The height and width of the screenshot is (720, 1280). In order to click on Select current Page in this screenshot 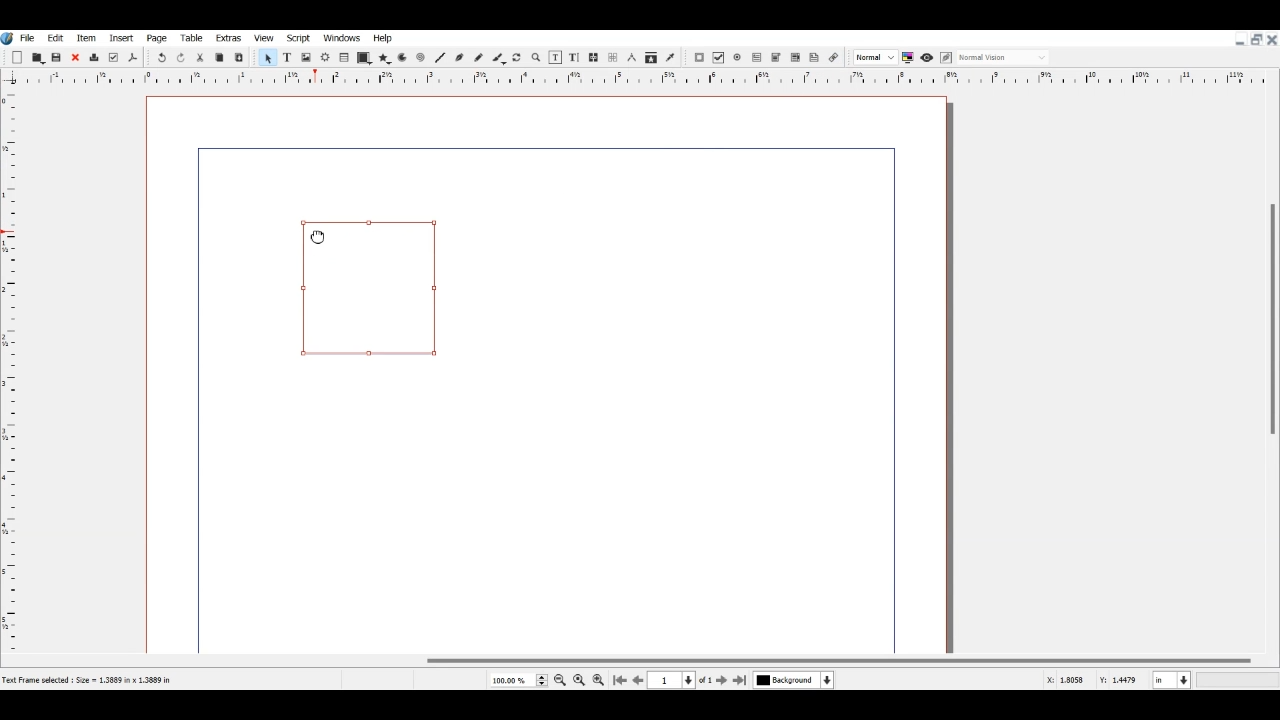, I will do `click(684, 680)`.